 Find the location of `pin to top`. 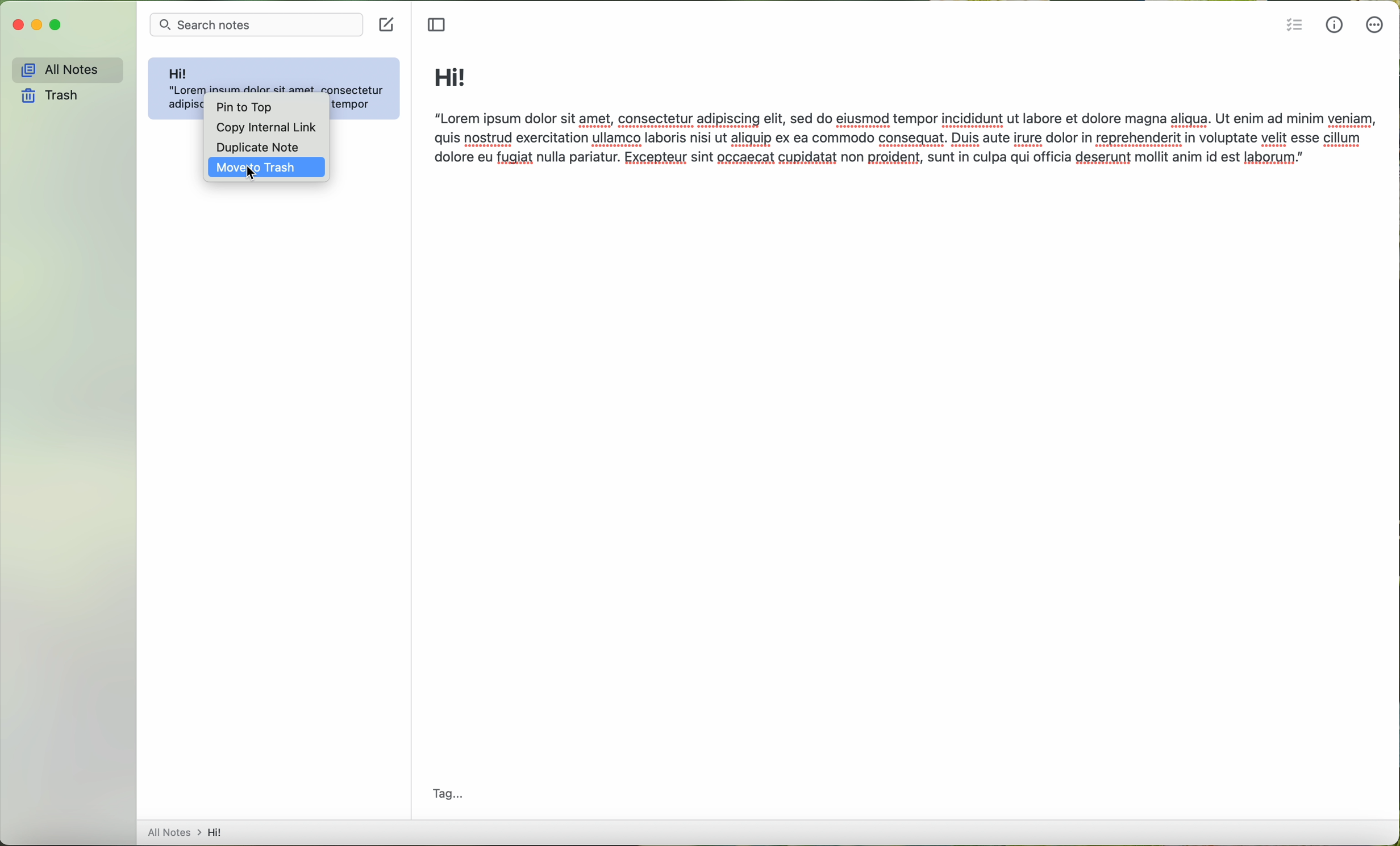

pin to top is located at coordinates (241, 106).